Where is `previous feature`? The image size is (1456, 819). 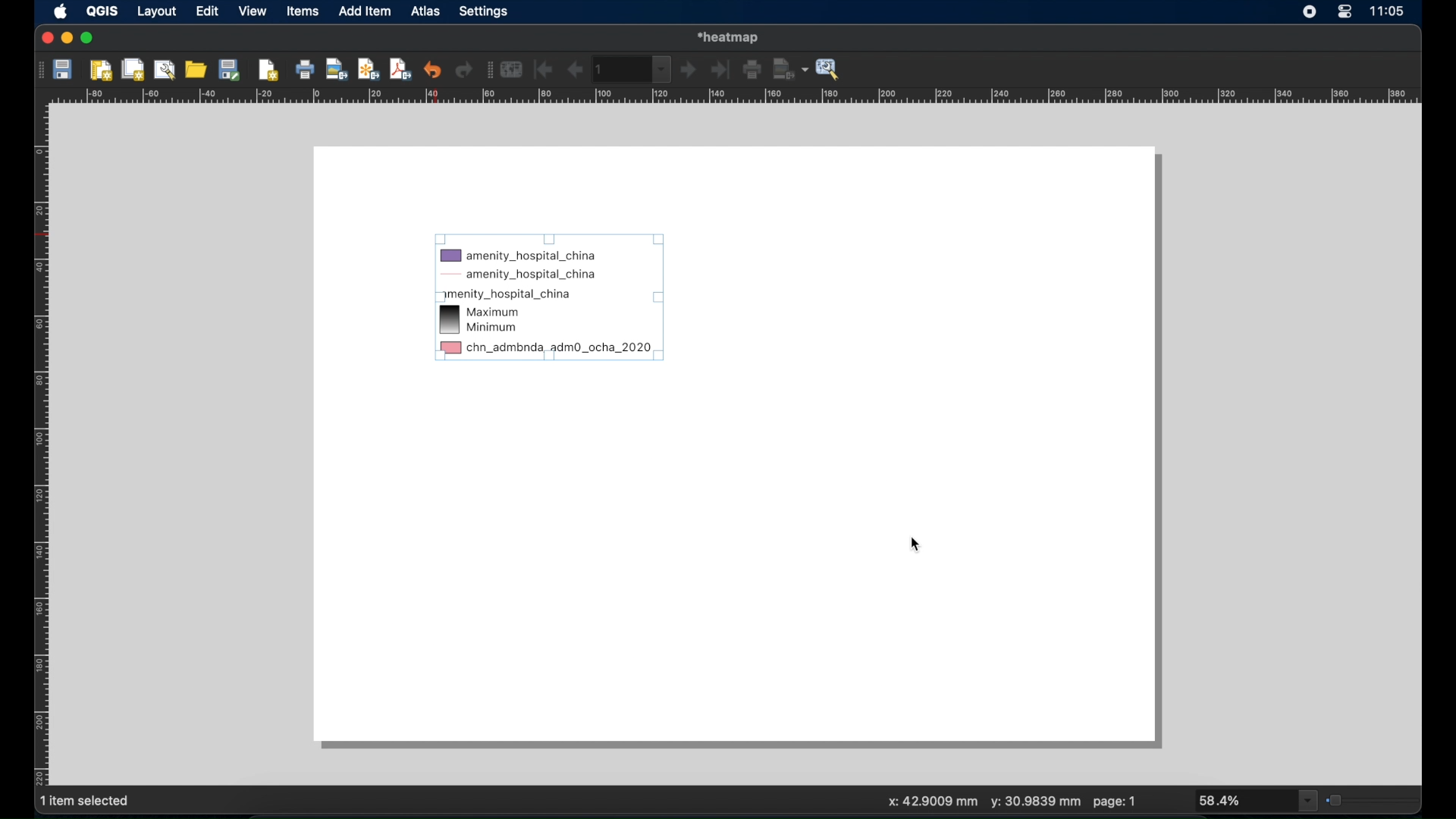 previous feature is located at coordinates (574, 70).